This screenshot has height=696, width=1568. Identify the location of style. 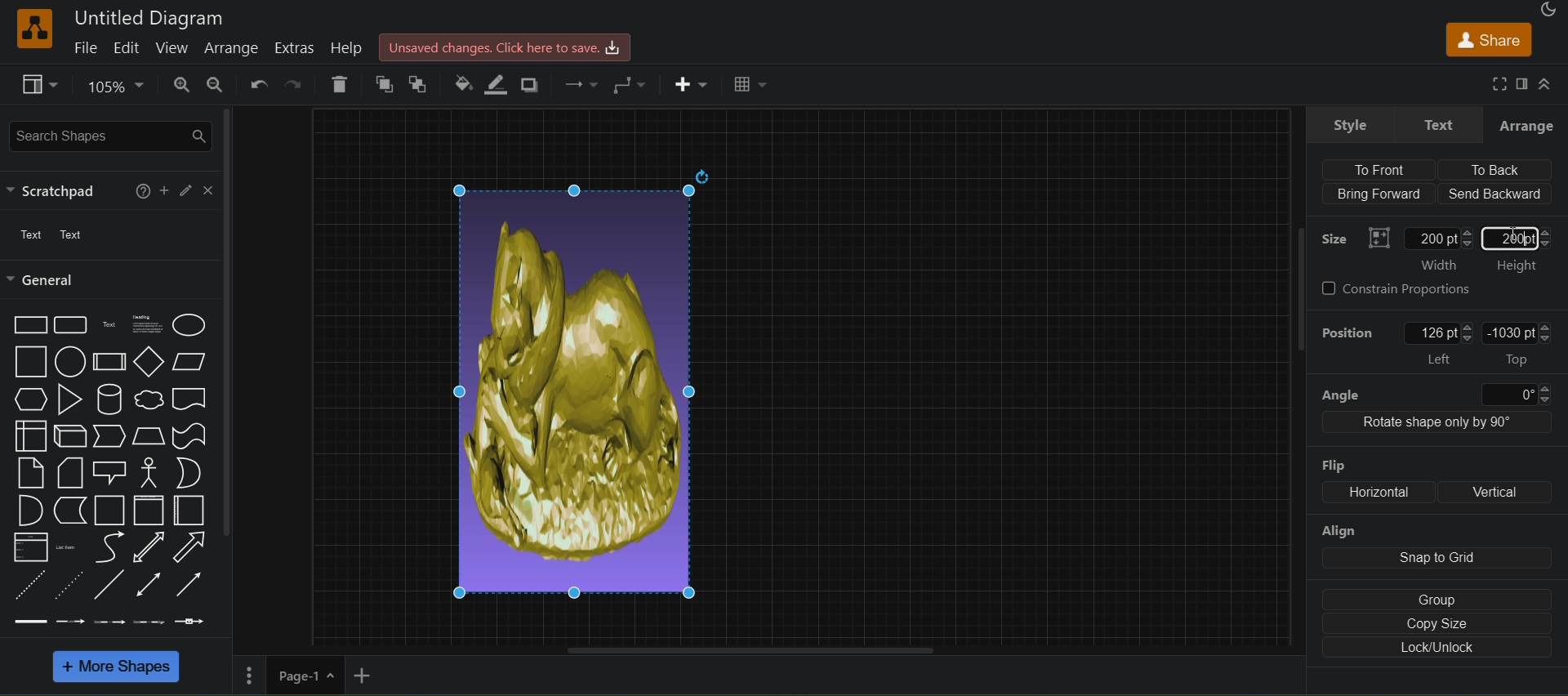
(1351, 124).